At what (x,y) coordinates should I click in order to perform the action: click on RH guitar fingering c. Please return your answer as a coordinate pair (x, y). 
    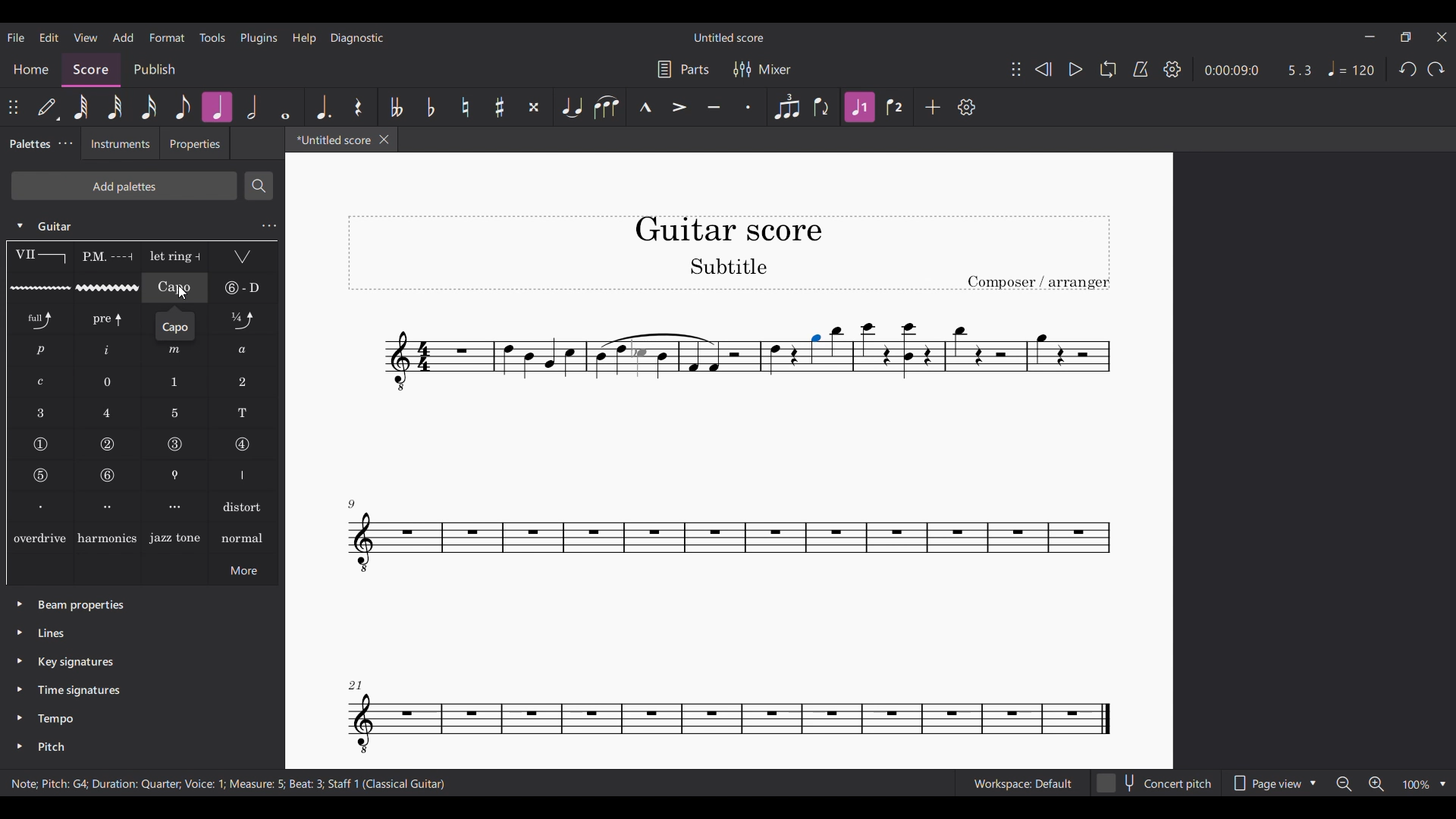
    Looking at the image, I should click on (41, 382).